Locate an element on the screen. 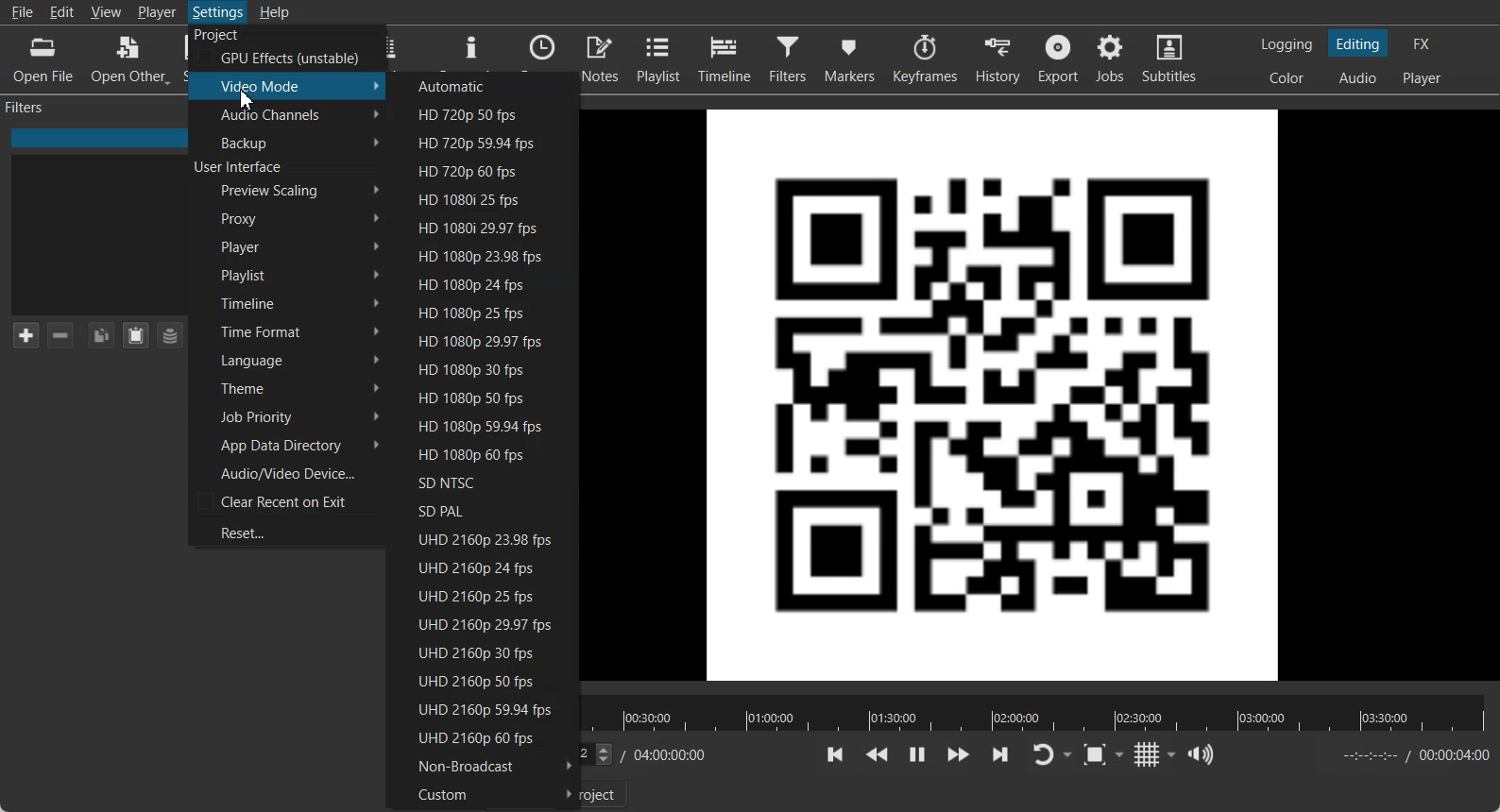 Image resolution: width=1500 pixels, height=812 pixels. Switch to the effect only layout is located at coordinates (1424, 43).